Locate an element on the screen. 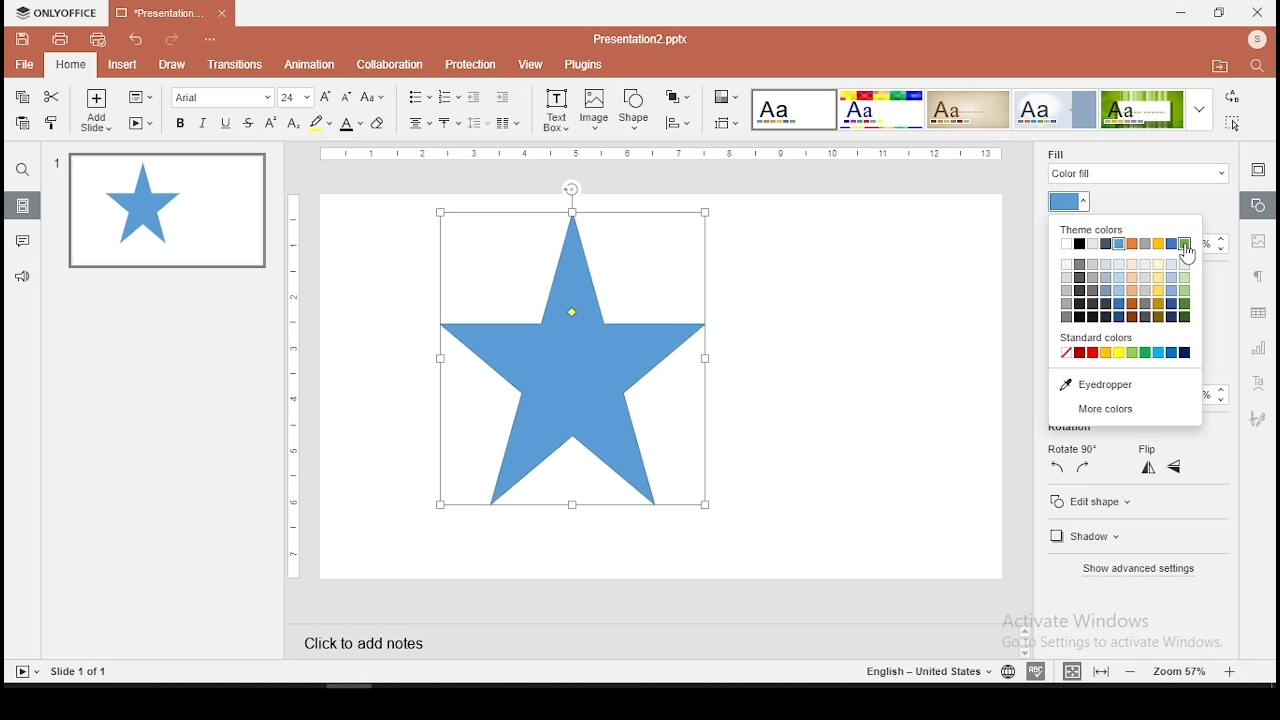 This screenshot has width=1280, height=720. text box is located at coordinates (555, 109).